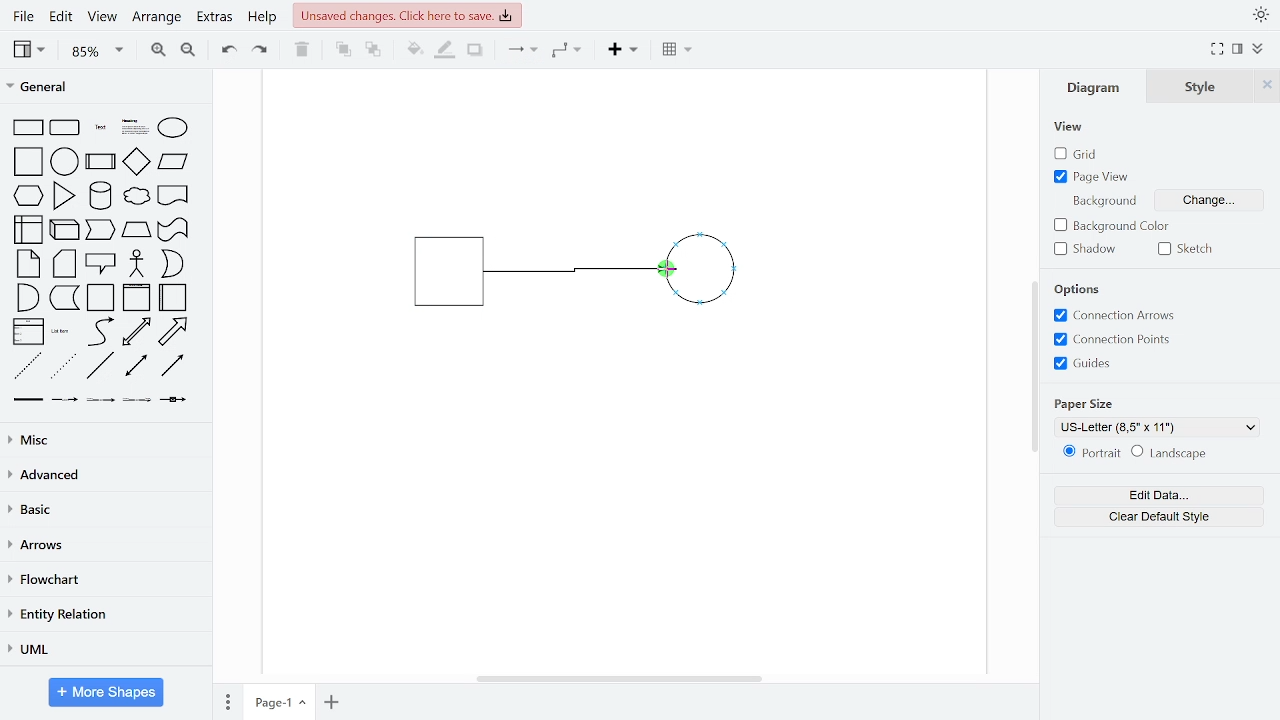 The width and height of the screenshot is (1280, 720). Describe the element at coordinates (1037, 369) in the screenshot. I see `Vertical scrollbar` at that location.